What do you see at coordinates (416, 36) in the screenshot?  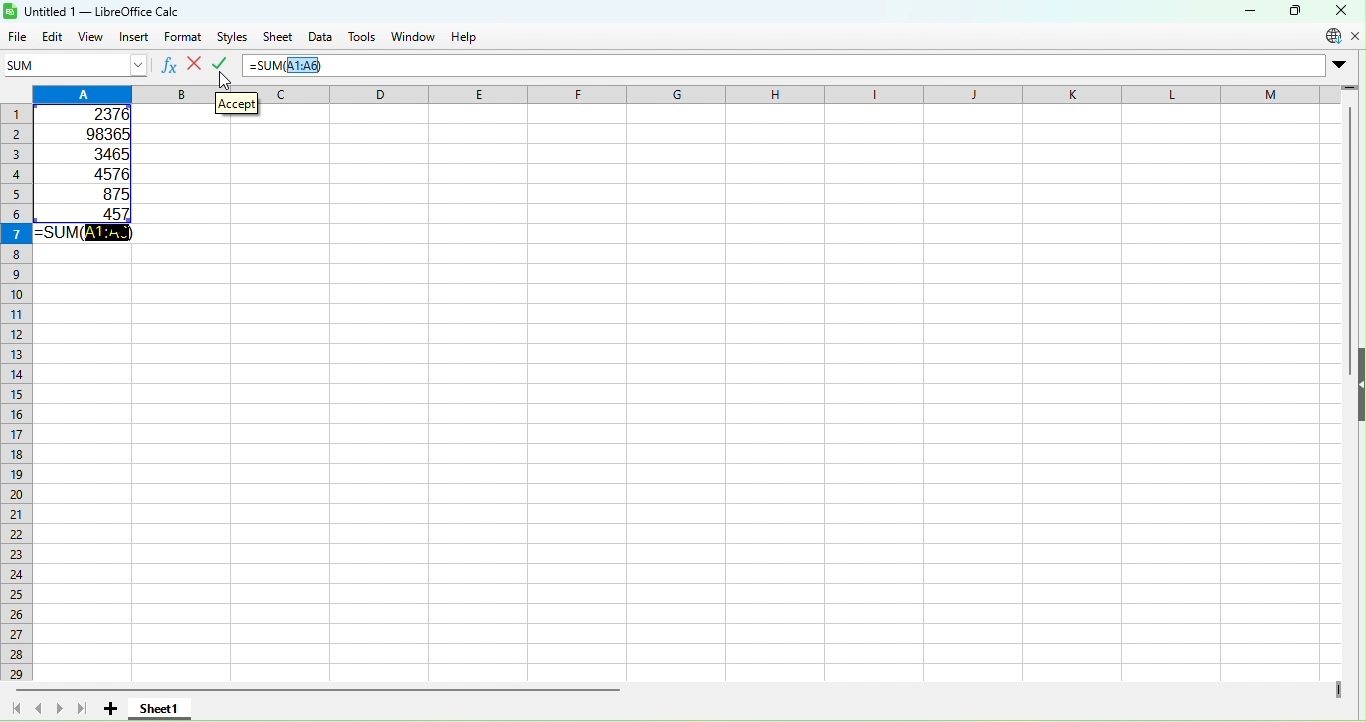 I see `Windows` at bounding box center [416, 36].